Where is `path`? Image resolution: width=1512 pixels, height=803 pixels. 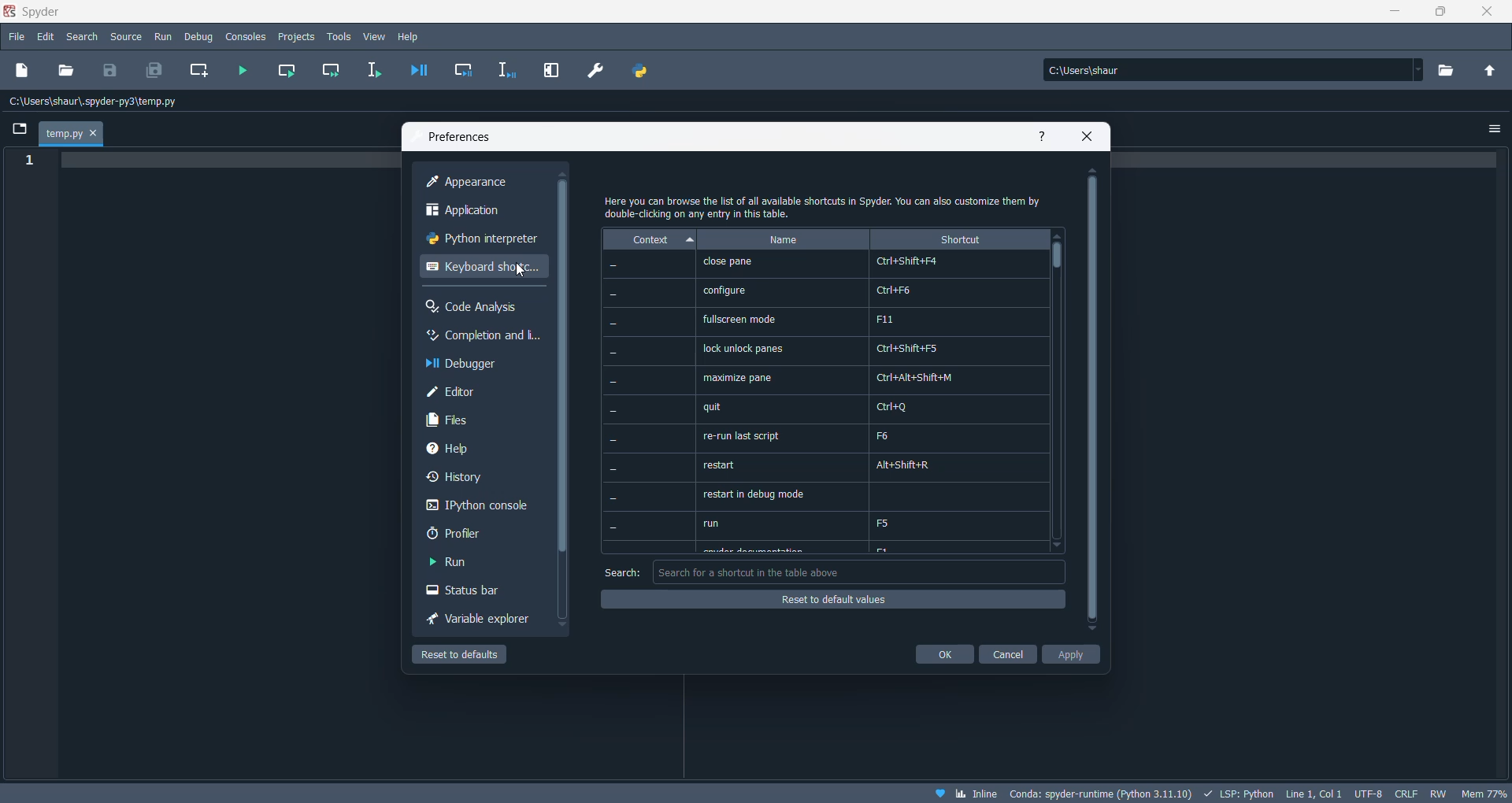
path is located at coordinates (101, 102).